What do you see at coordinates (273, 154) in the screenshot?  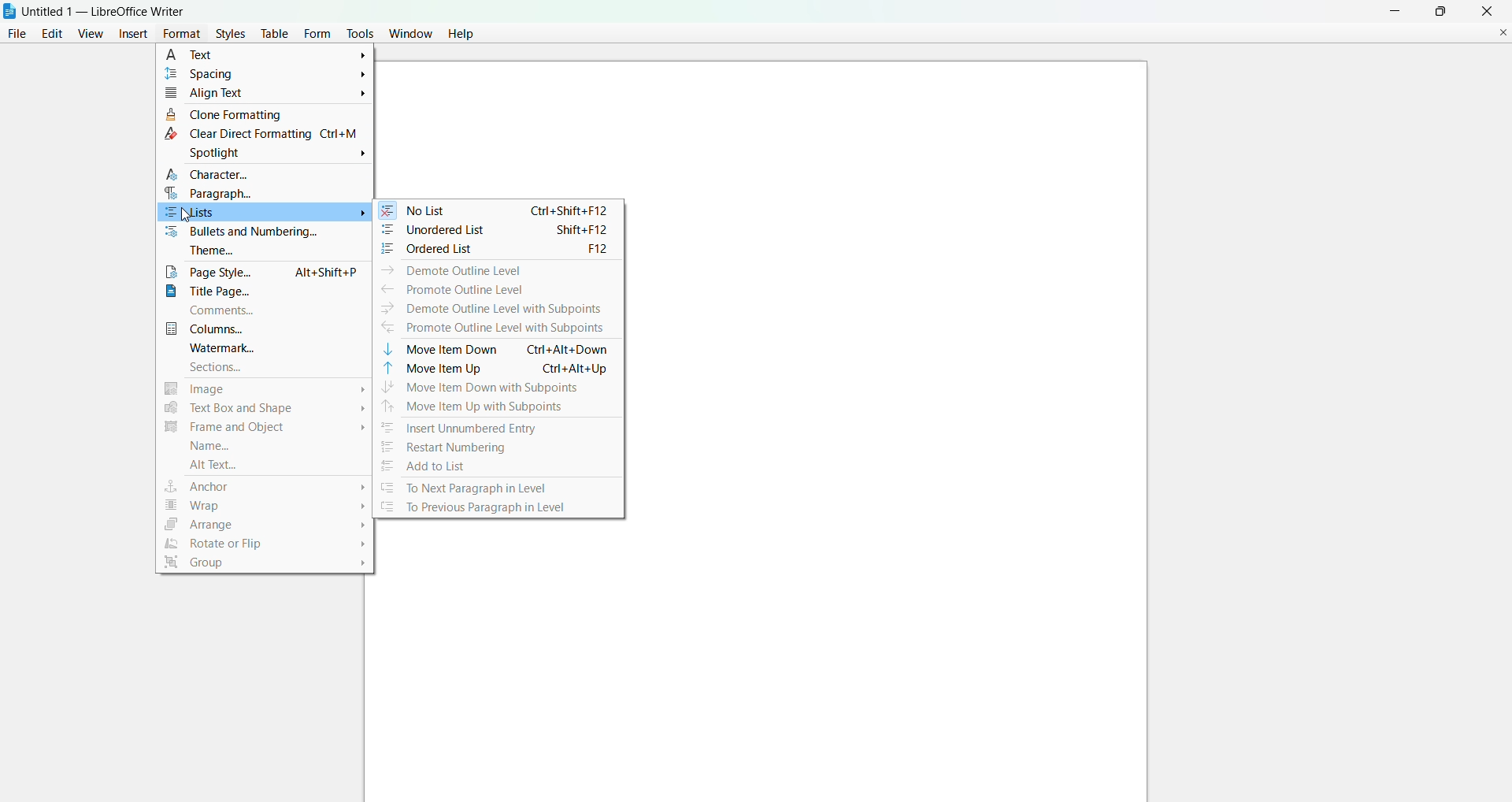 I see `spotlight` at bounding box center [273, 154].